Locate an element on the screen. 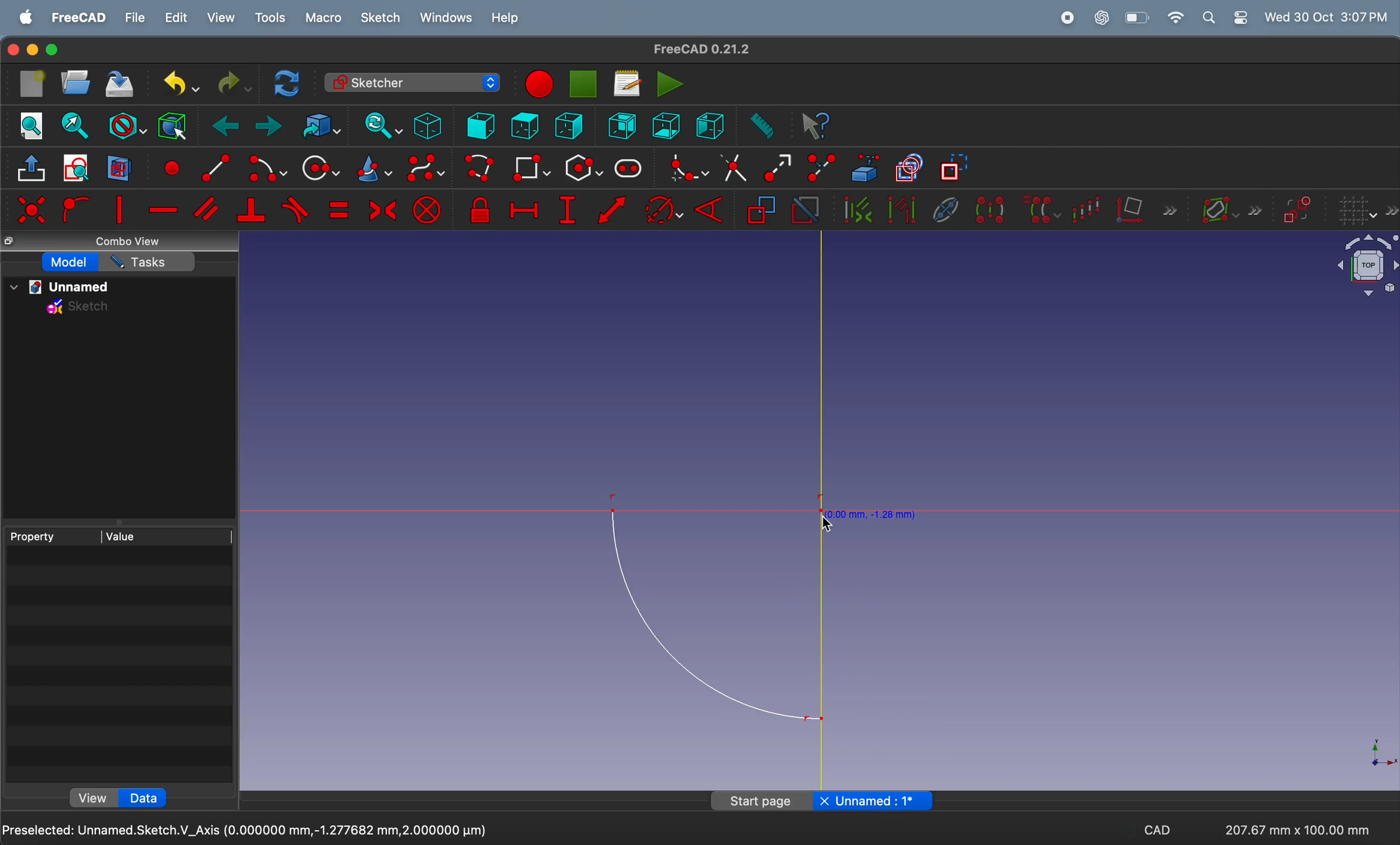 This screenshot has height=845, width=1400. read marco is located at coordinates (627, 83).